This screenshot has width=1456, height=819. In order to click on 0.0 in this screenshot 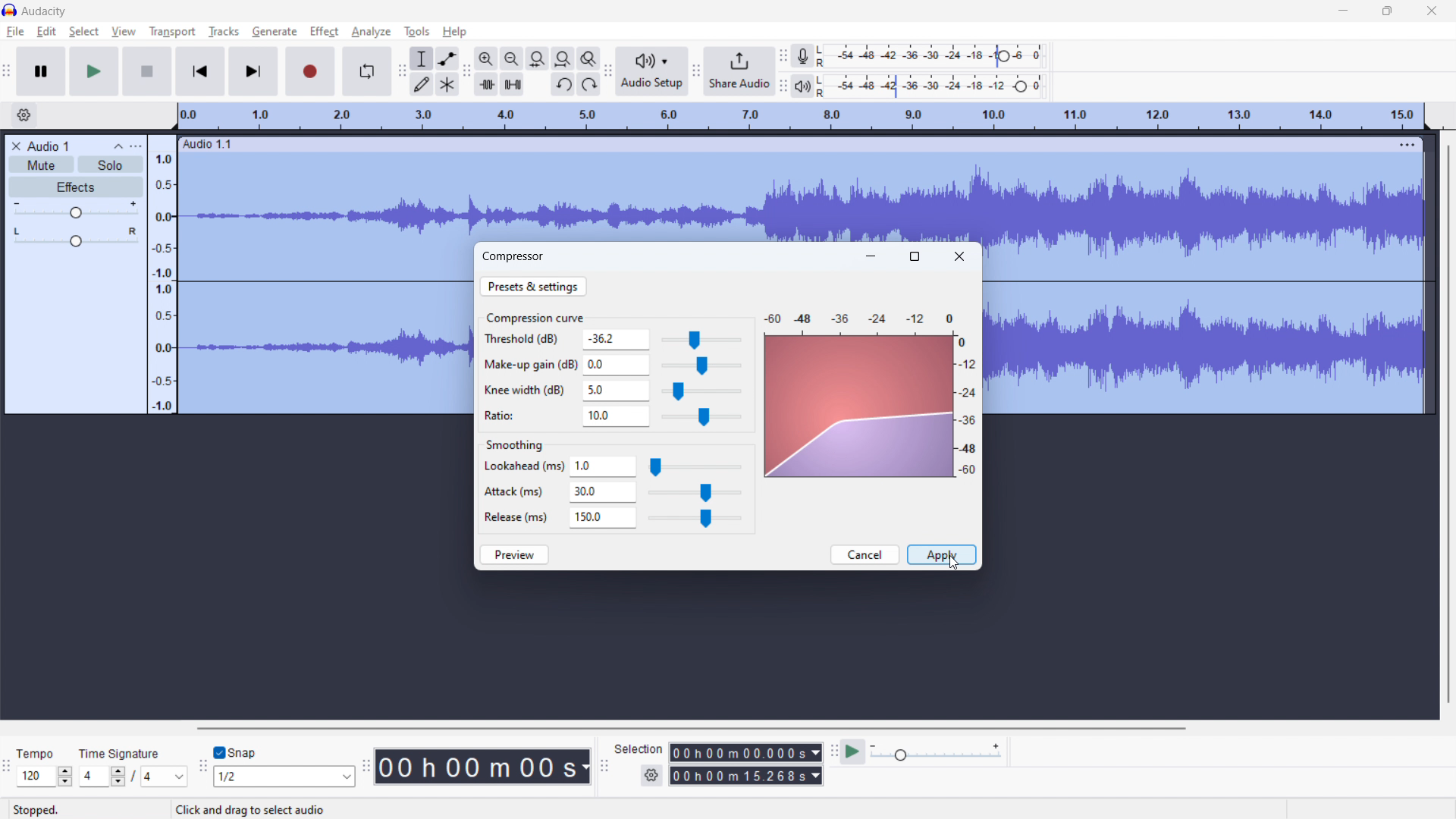, I will do `click(617, 363)`.